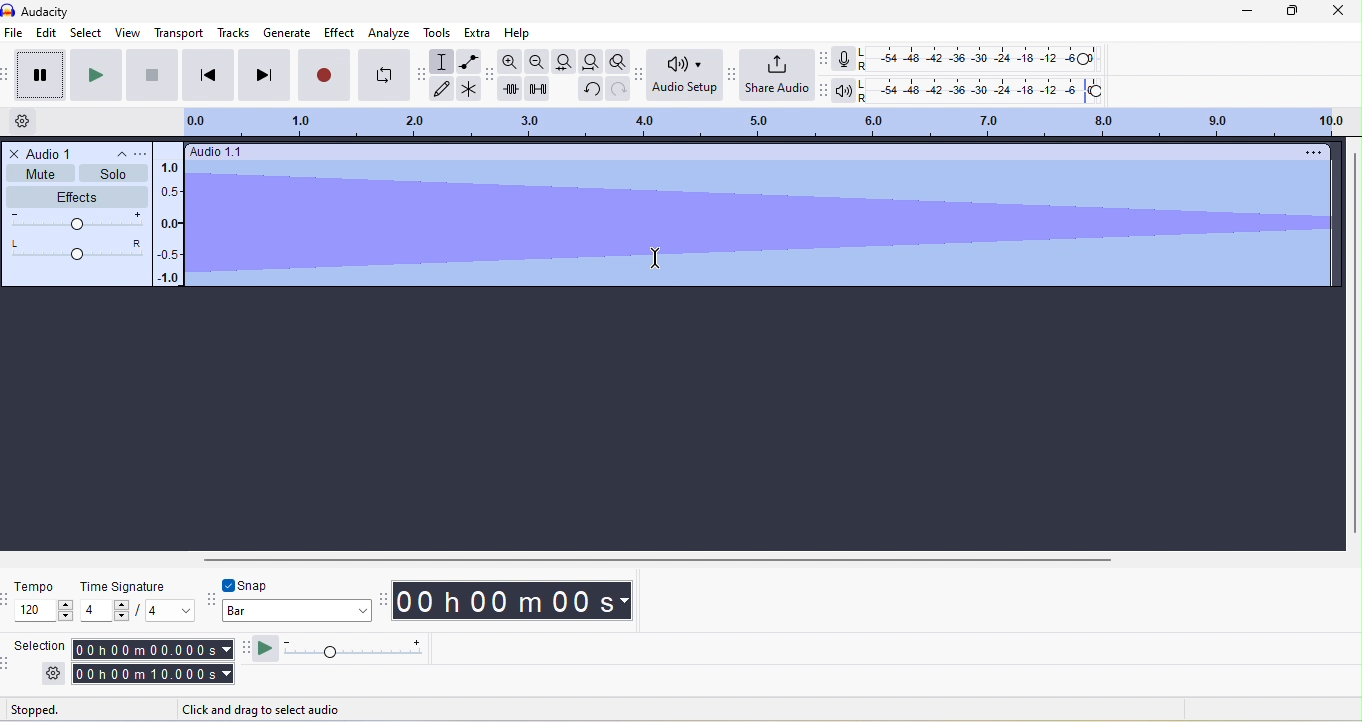 The height and width of the screenshot is (722, 1362). I want to click on time signature, so click(120, 585).